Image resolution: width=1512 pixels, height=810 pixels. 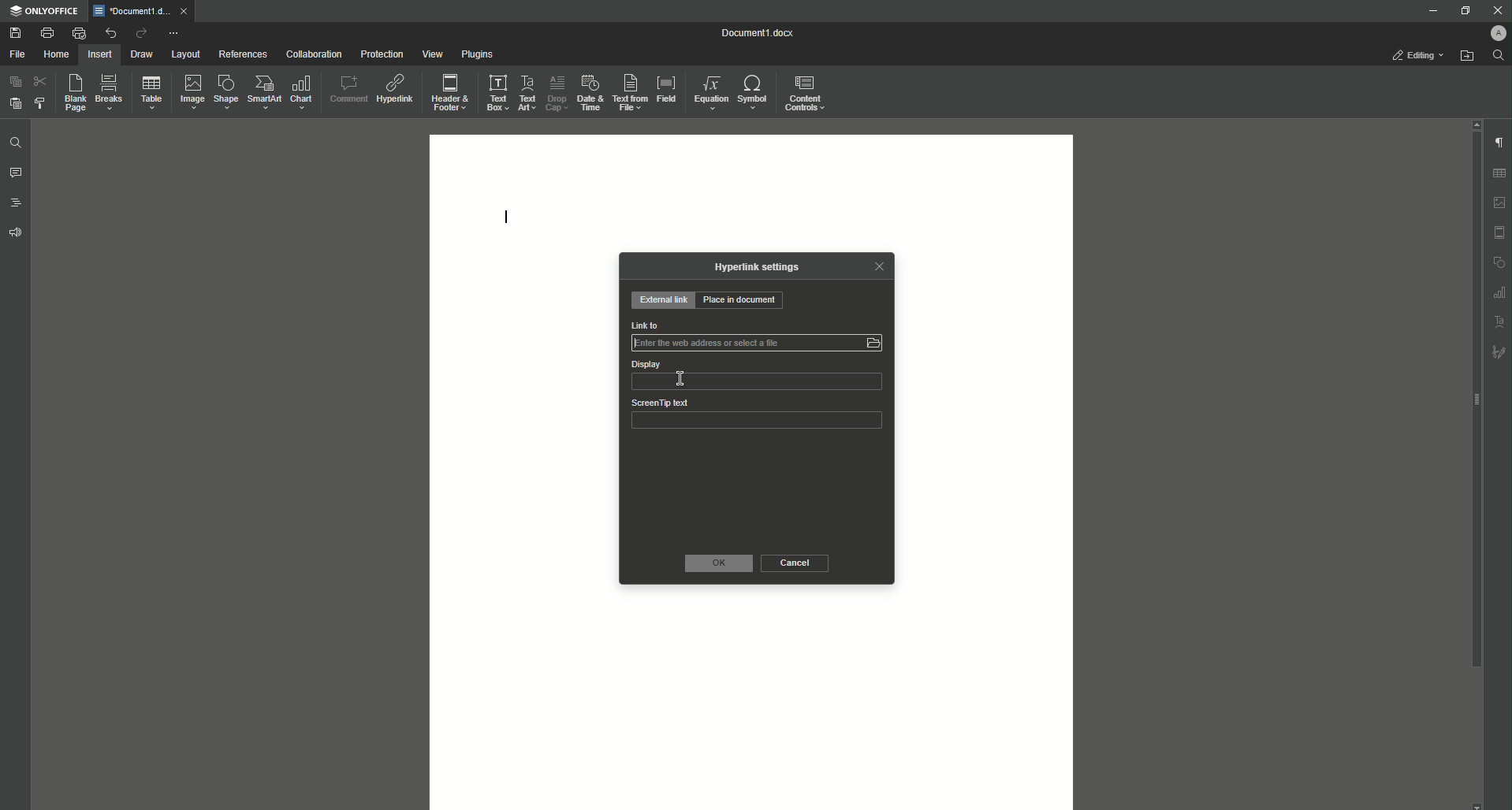 I want to click on scroll up, so click(x=1477, y=124).